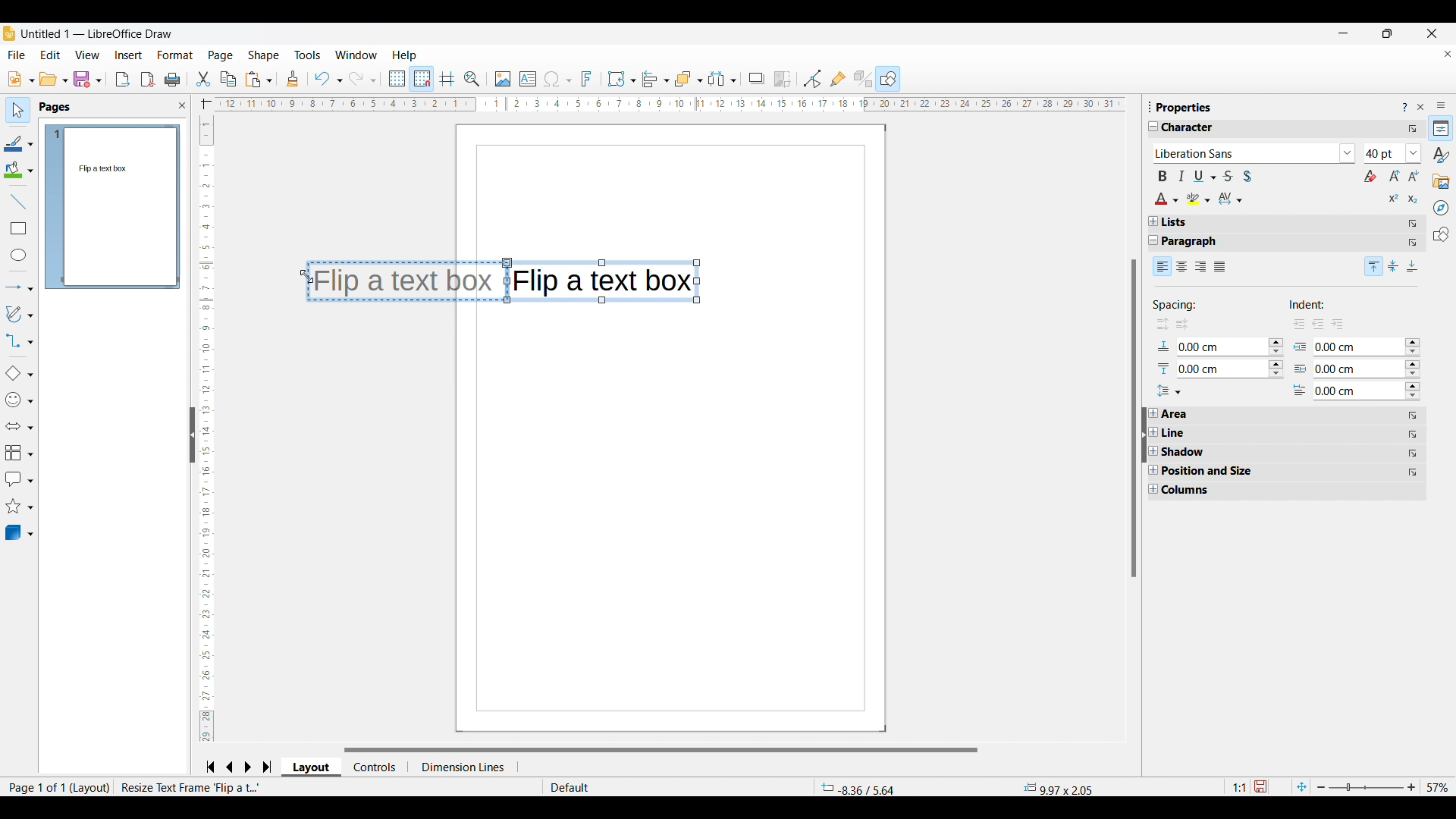 The image size is (1456, 819). I want to click on Lines and arrow options, so click(19, 288).